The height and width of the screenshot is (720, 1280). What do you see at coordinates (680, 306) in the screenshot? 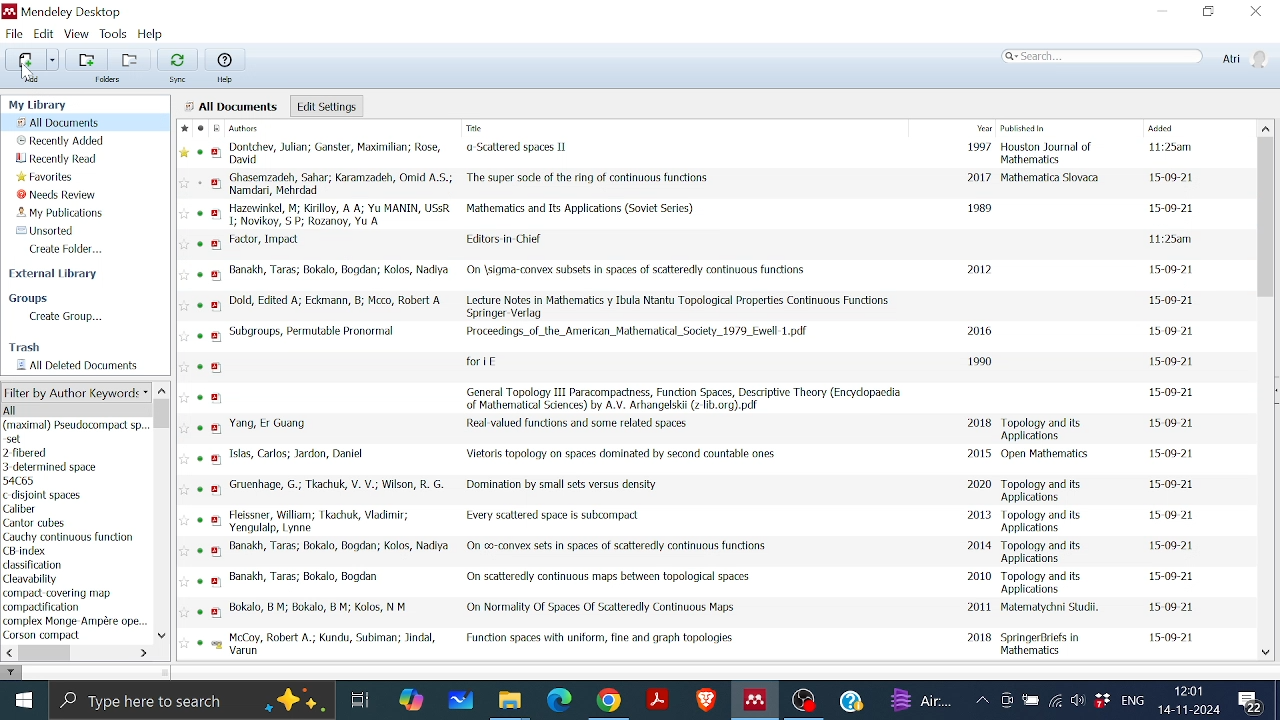
I see `Title` at bounding box center [680, 306].